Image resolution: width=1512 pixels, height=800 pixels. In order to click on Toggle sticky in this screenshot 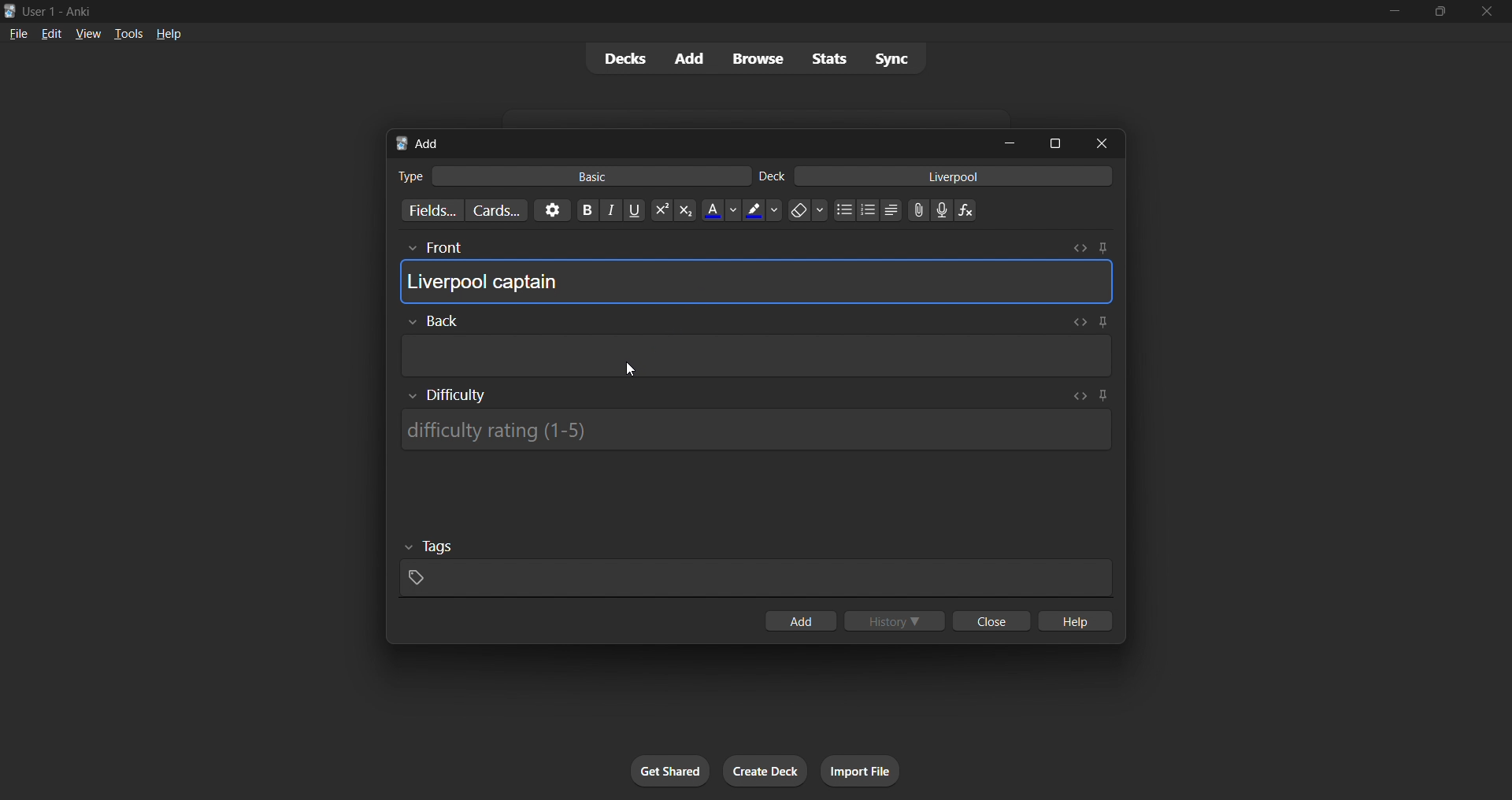, I will do `click(1102, 397)`.